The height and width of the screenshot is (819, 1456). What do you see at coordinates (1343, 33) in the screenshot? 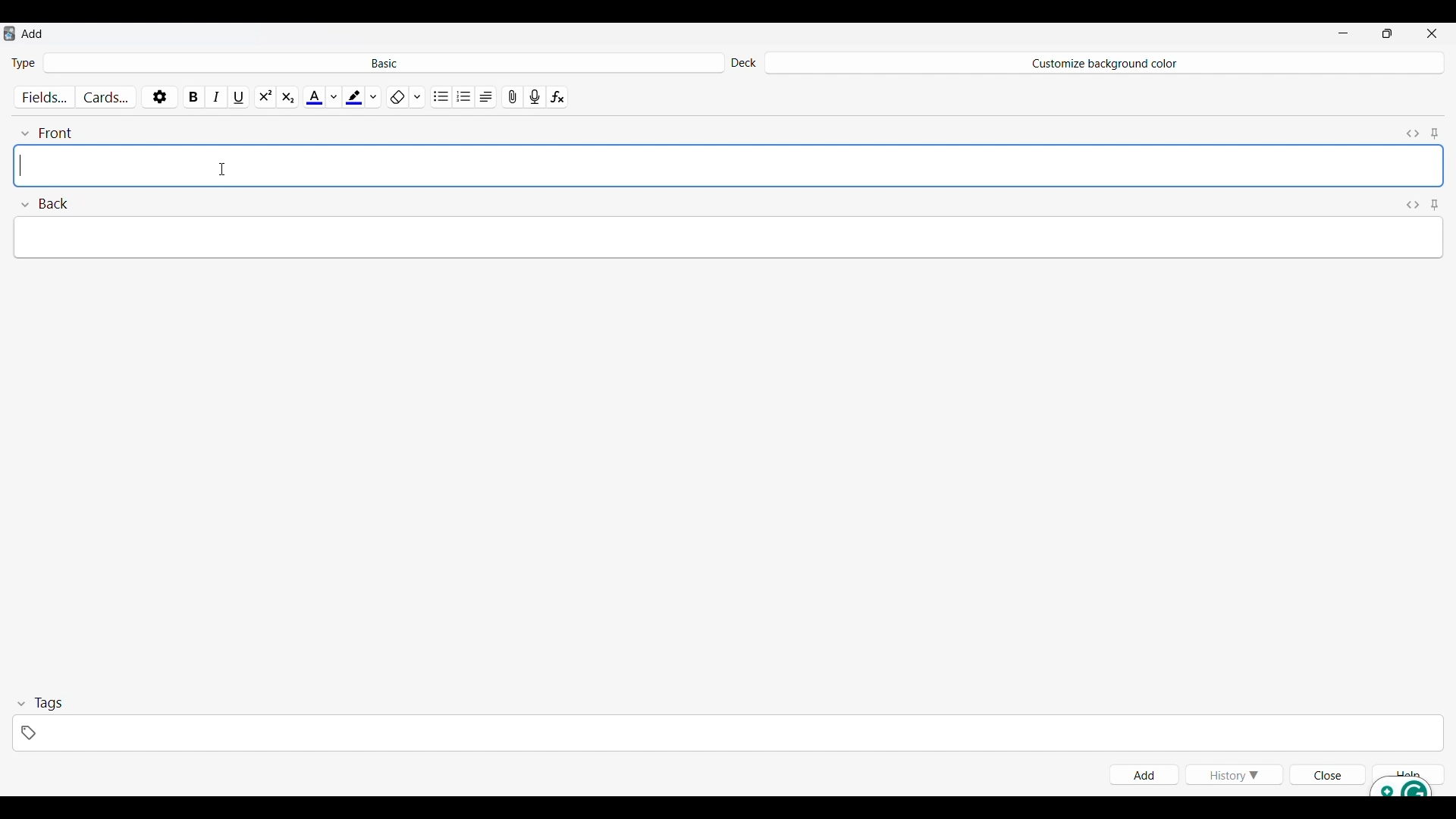
I see `Minimize` at bounding box center [1343, 33].